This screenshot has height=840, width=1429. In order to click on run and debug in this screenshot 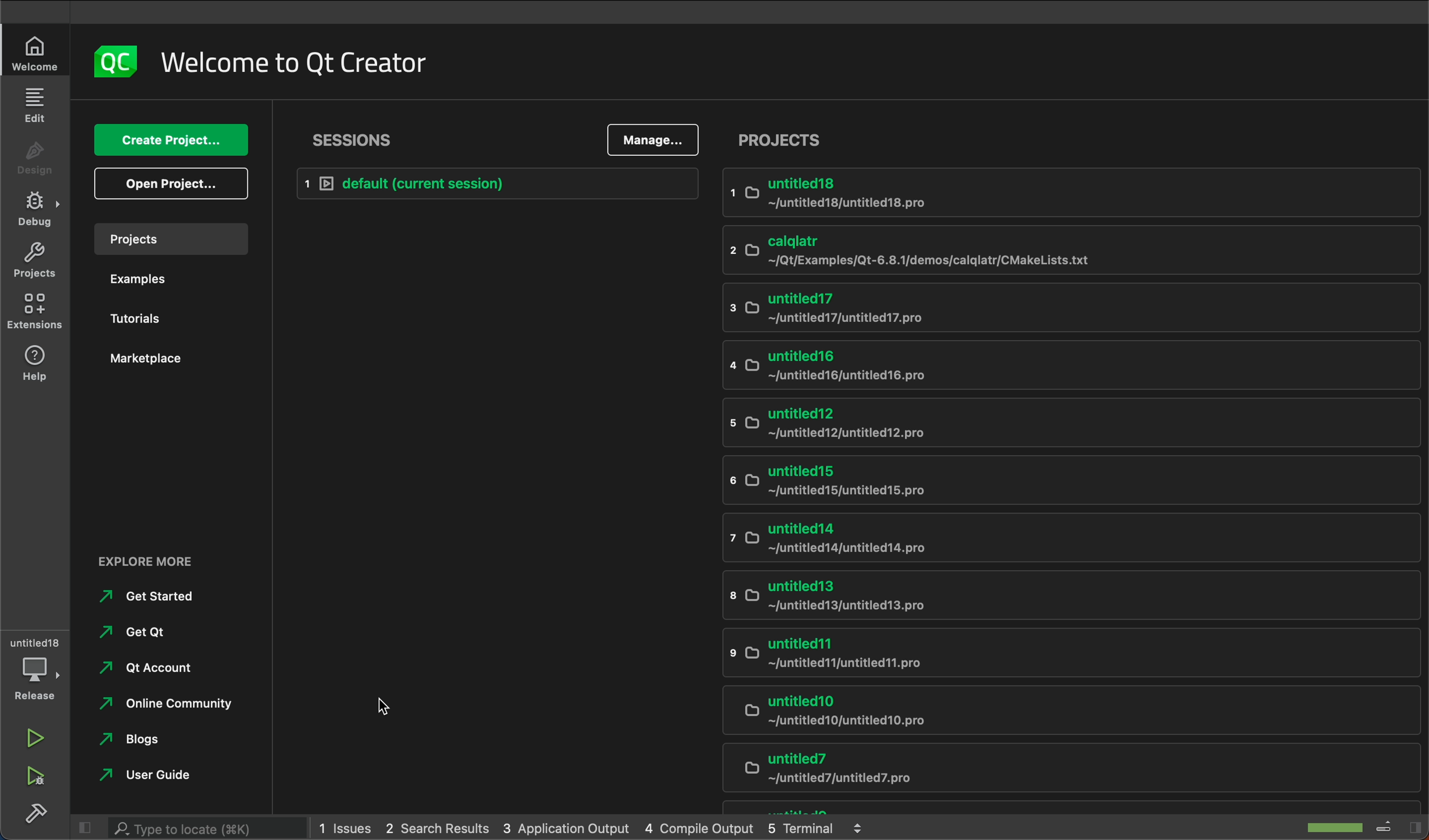, I will do `click(40, 777)`.